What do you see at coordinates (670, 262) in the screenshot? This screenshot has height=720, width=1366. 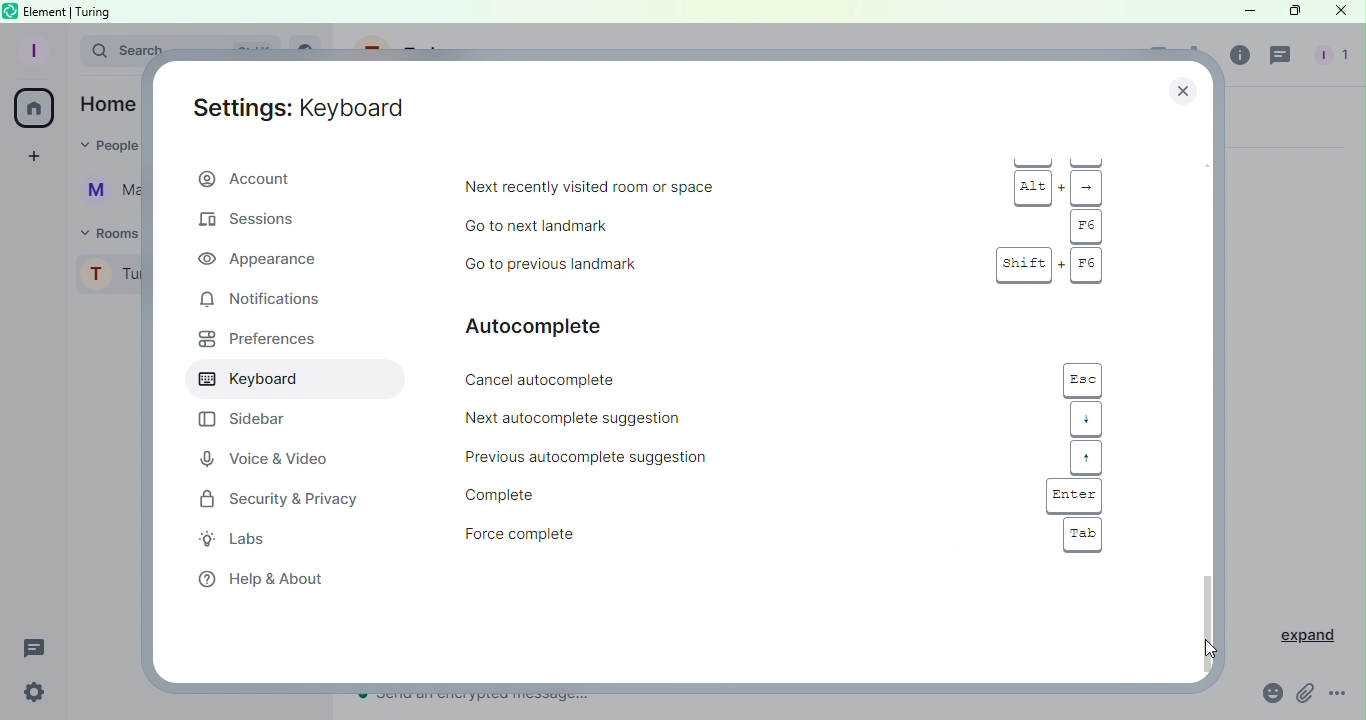 I see `Go to previous landmark` at bounding box center [670, 262].